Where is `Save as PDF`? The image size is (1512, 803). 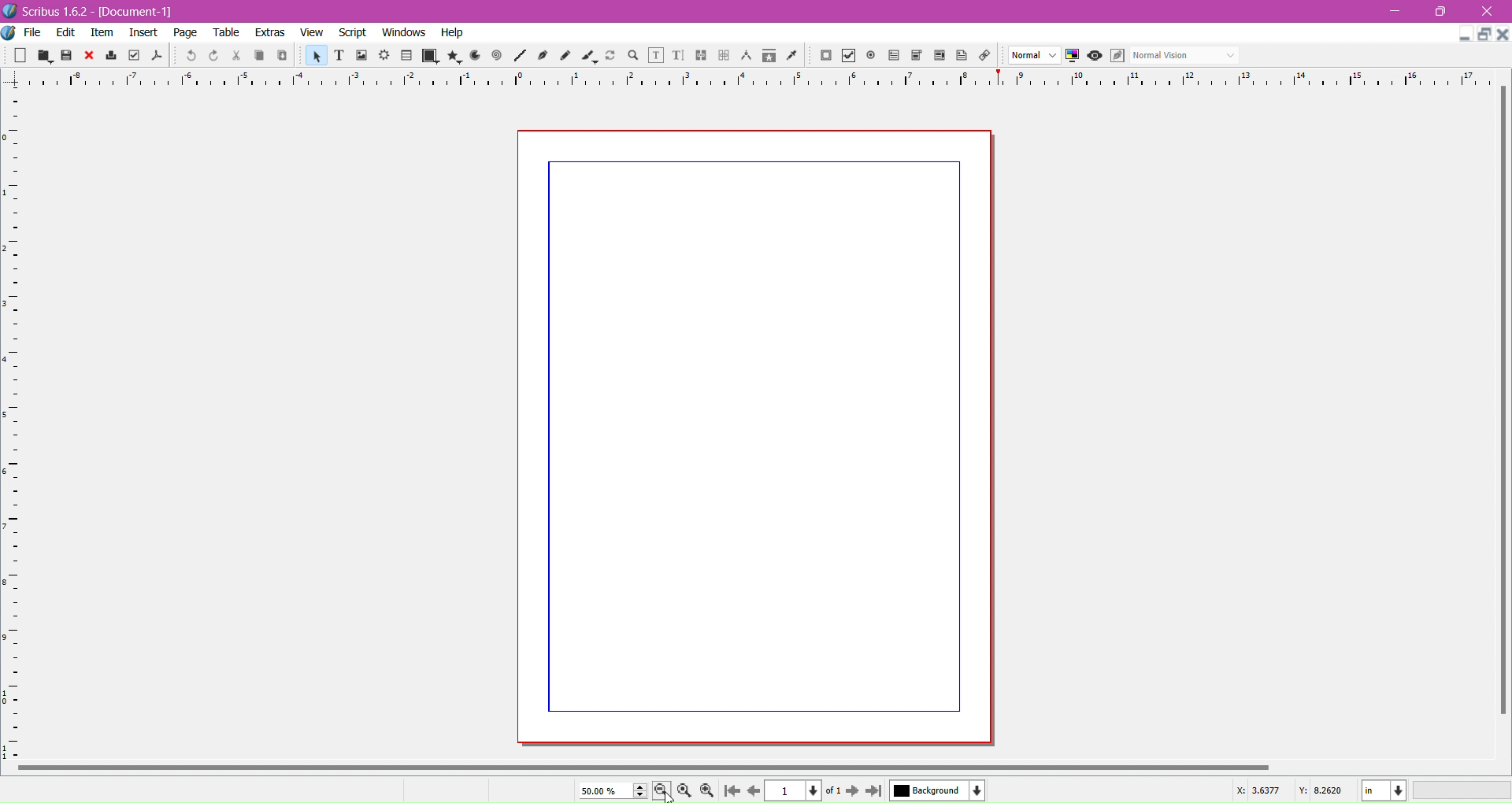 Save as PDF is located at coordinates (157, 55).